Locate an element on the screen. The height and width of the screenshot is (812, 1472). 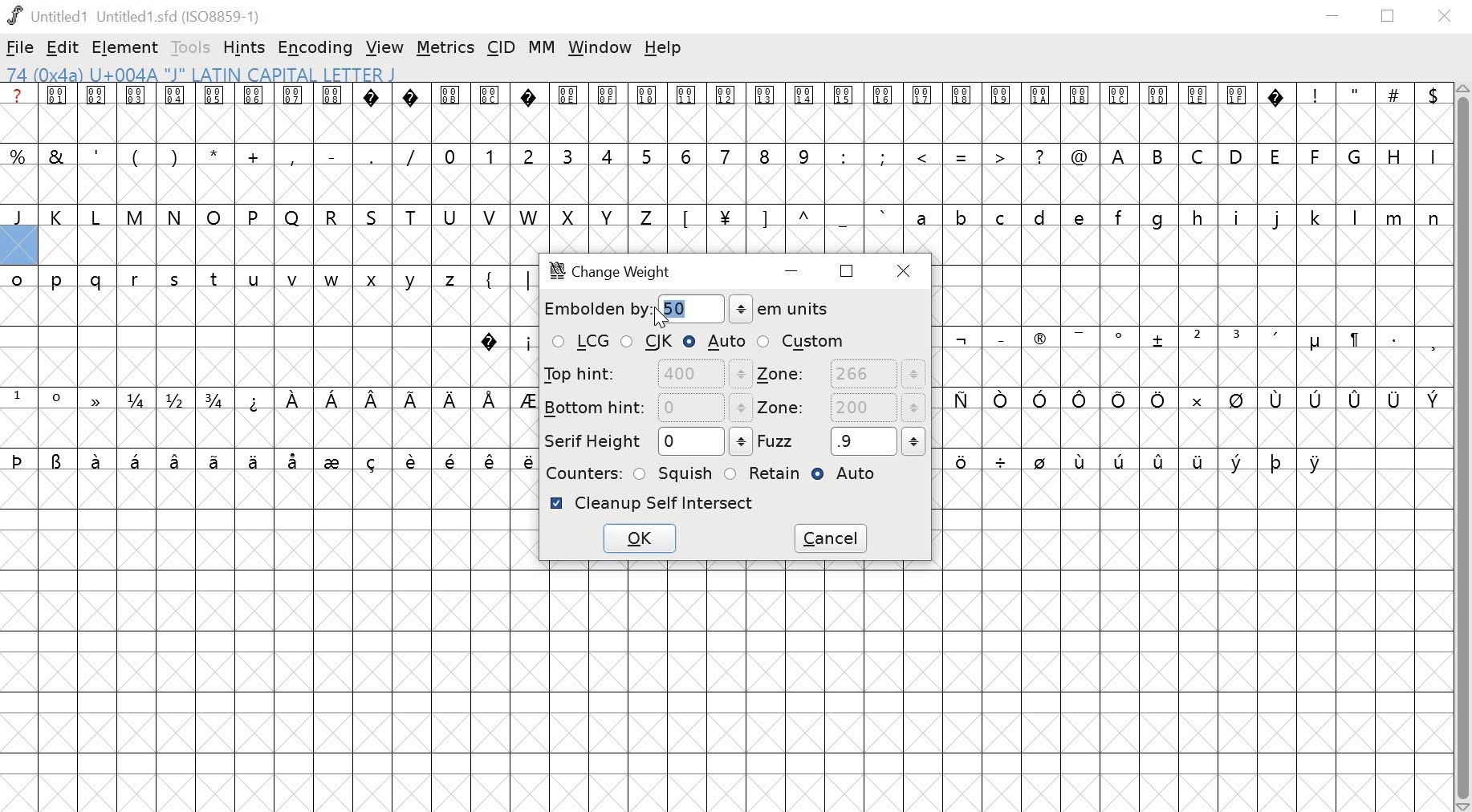
HINTS is located at coordinates (246, 49).